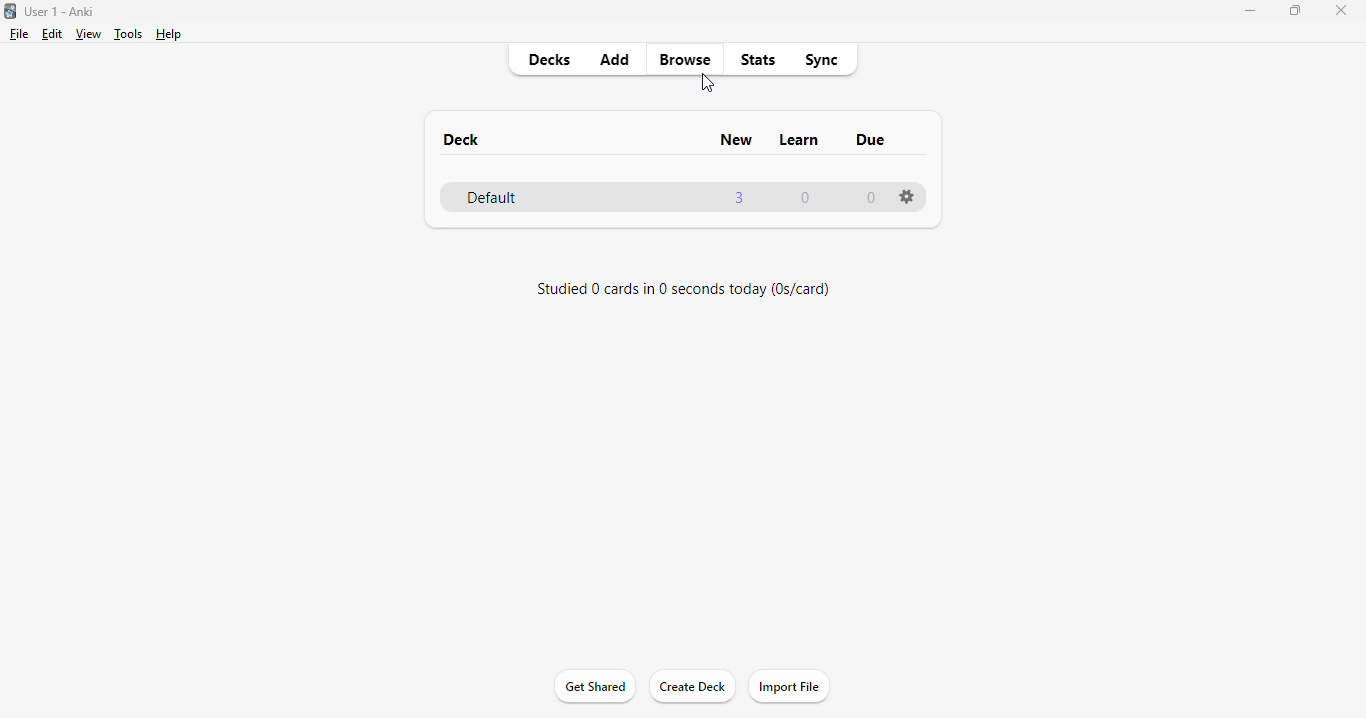 This screenshot has height=718, width=1366. Describe the element at coordinates (1295, 11) in the screenshot. I see `maximize` at that location.